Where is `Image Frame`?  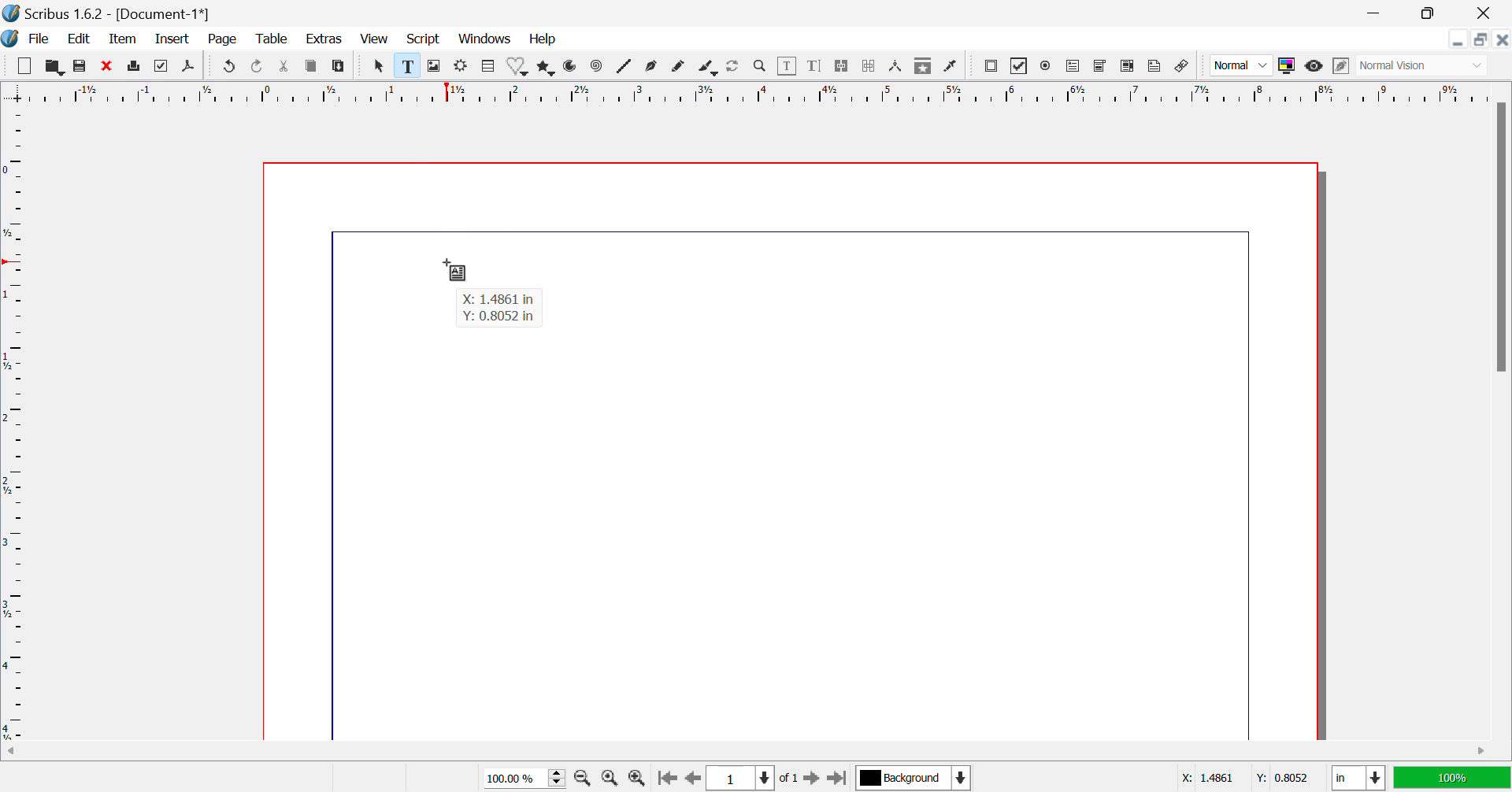 Image Frame is located at coordinates (435, 66).